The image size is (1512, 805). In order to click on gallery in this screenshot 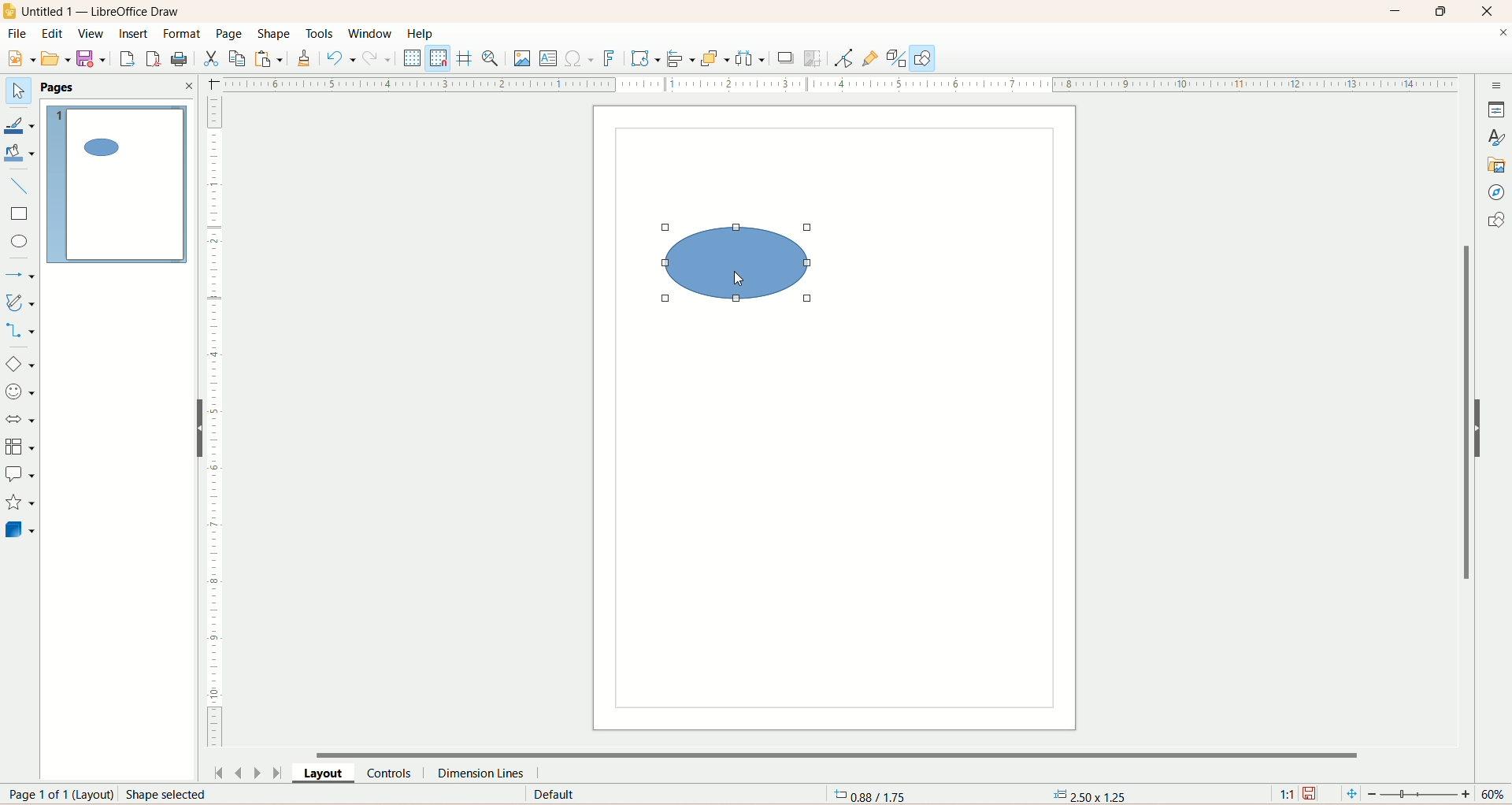, I will do `click(1498, 167)`.